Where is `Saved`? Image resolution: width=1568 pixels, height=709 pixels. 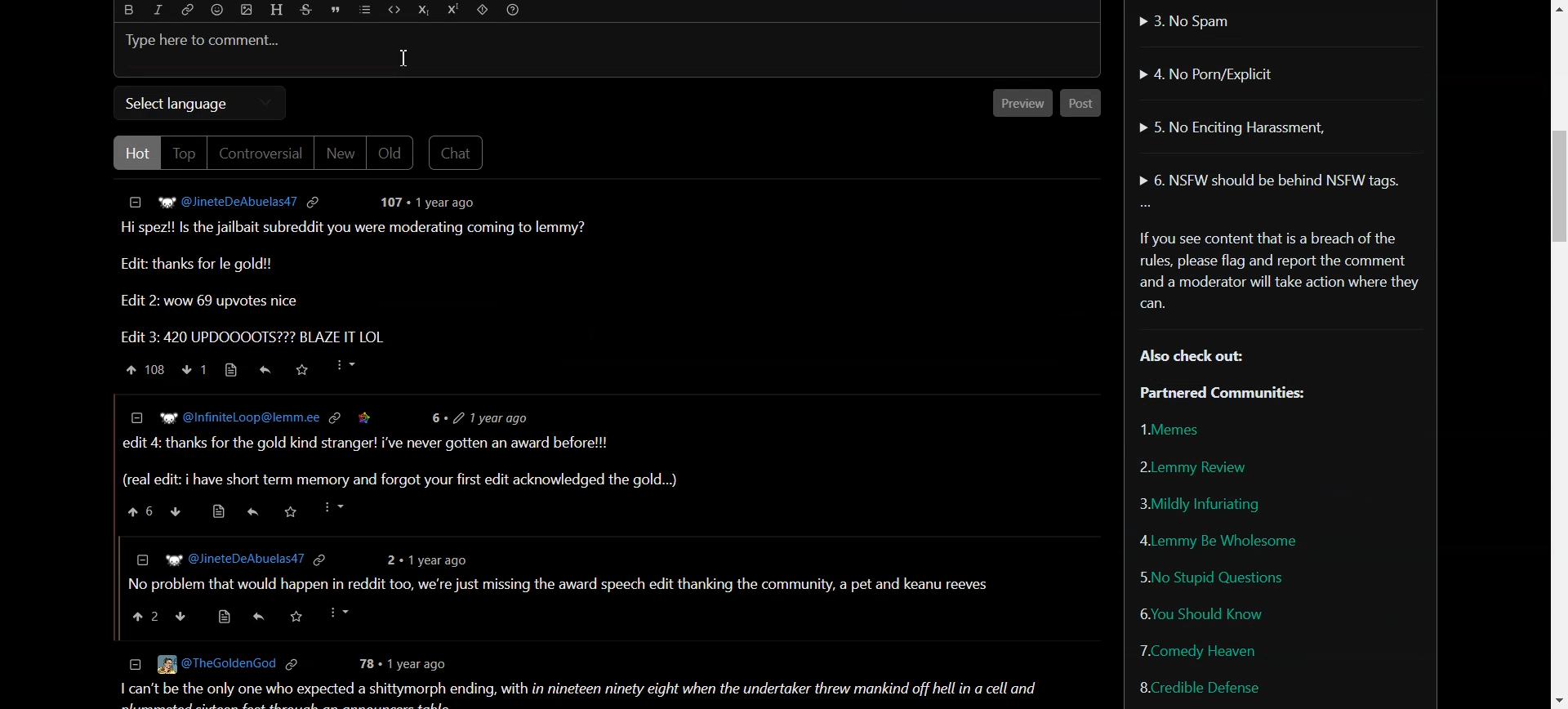 Saved is located at coordinates (304, 370).